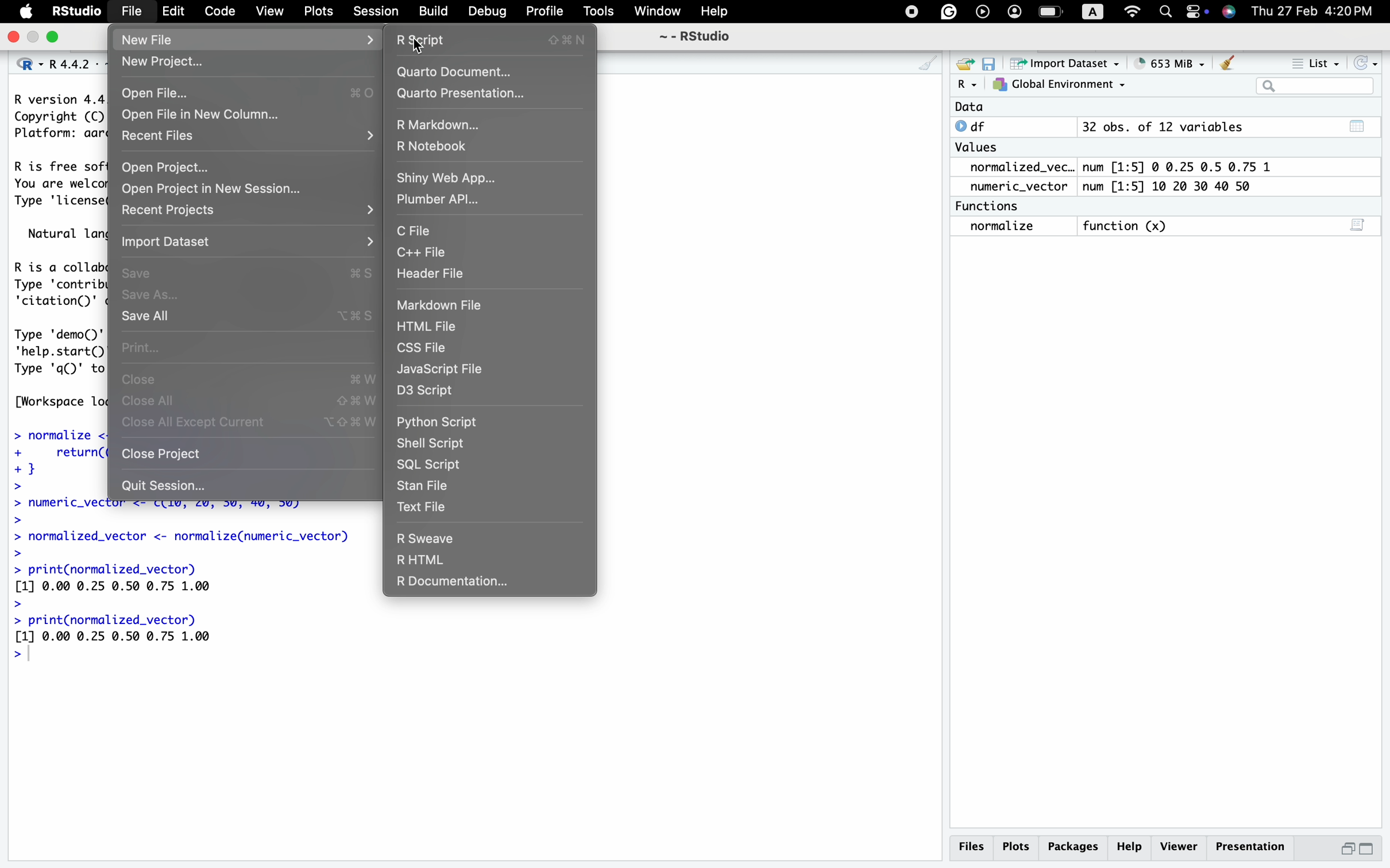 Image resolution: width=1390 pixels, height=868 pixels. I want to click on HTML File, so click(429, 328).